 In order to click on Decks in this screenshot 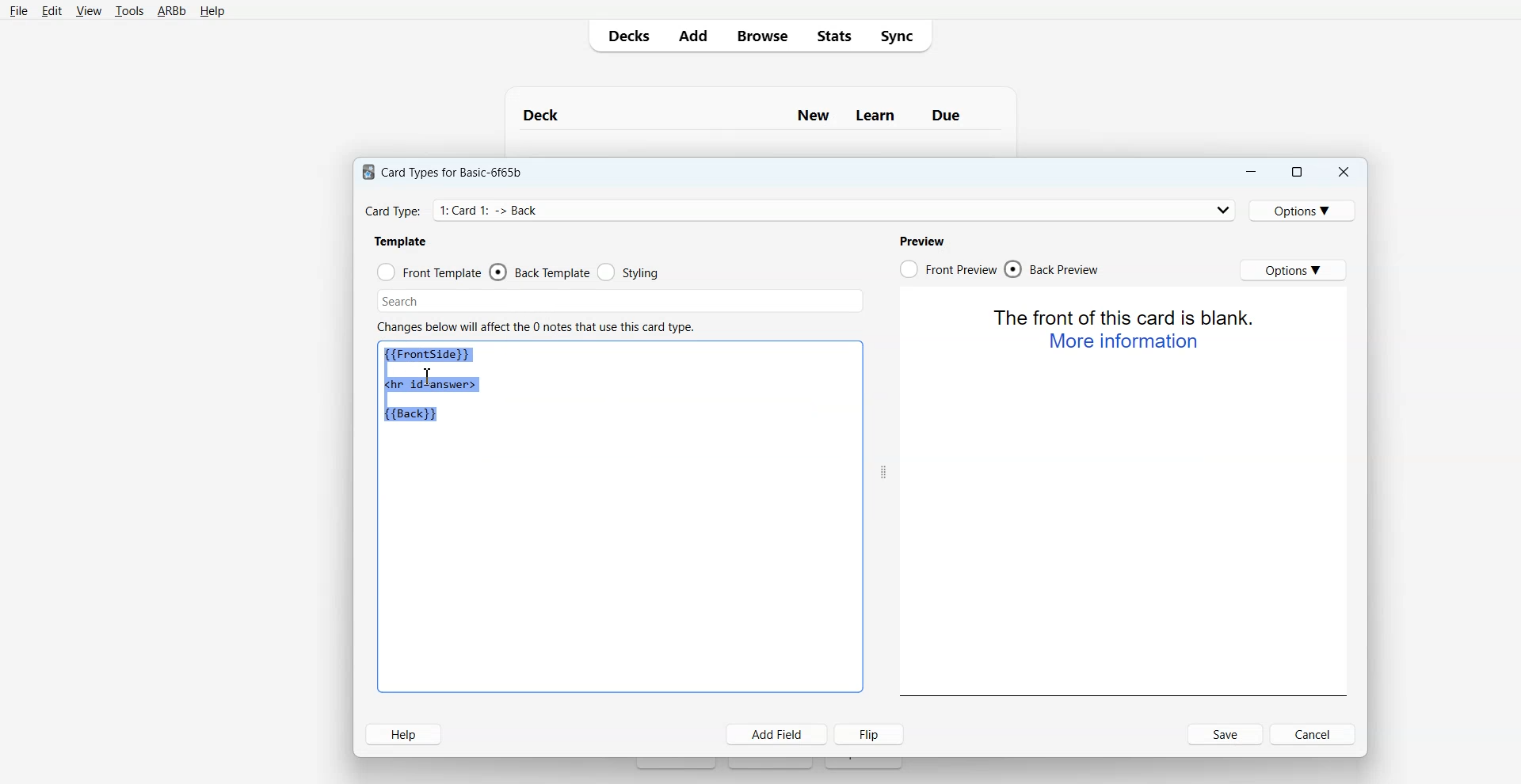, I will do `click(625, 36)`.